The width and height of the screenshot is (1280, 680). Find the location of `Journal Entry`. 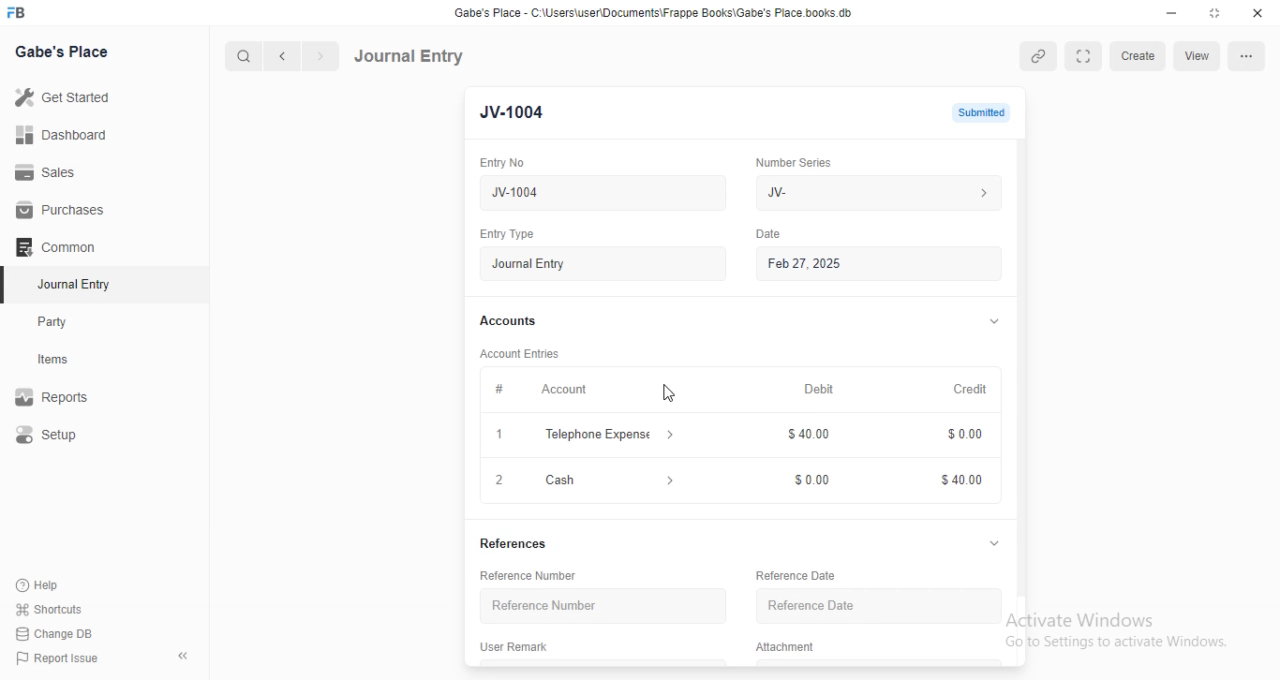

Journal Entry is located at coordinates (603, 264).